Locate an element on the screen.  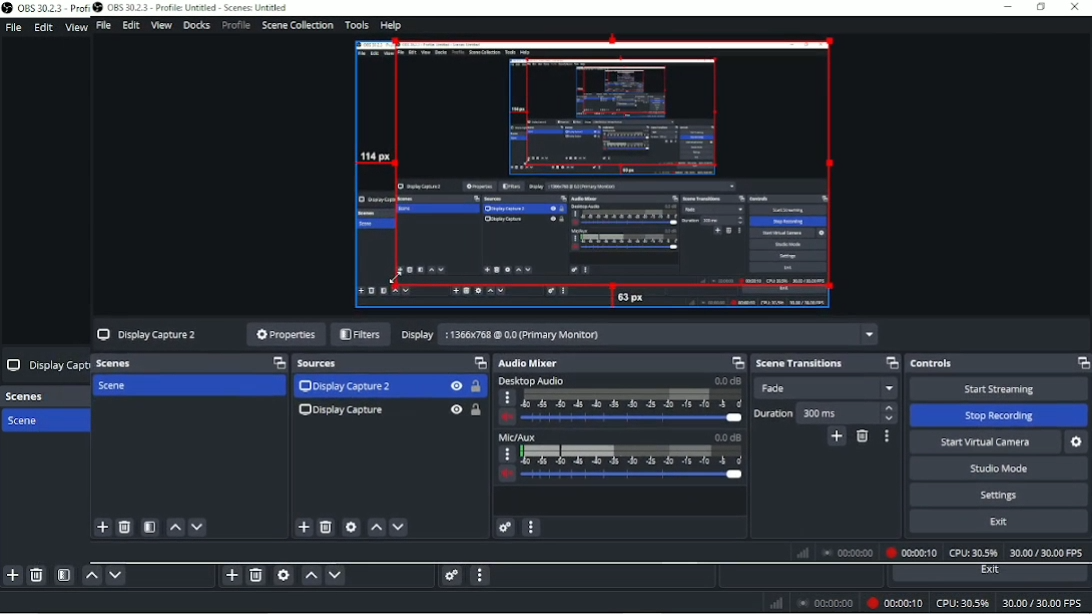
‘Start Streaming is located at coordinates (1000, 387).